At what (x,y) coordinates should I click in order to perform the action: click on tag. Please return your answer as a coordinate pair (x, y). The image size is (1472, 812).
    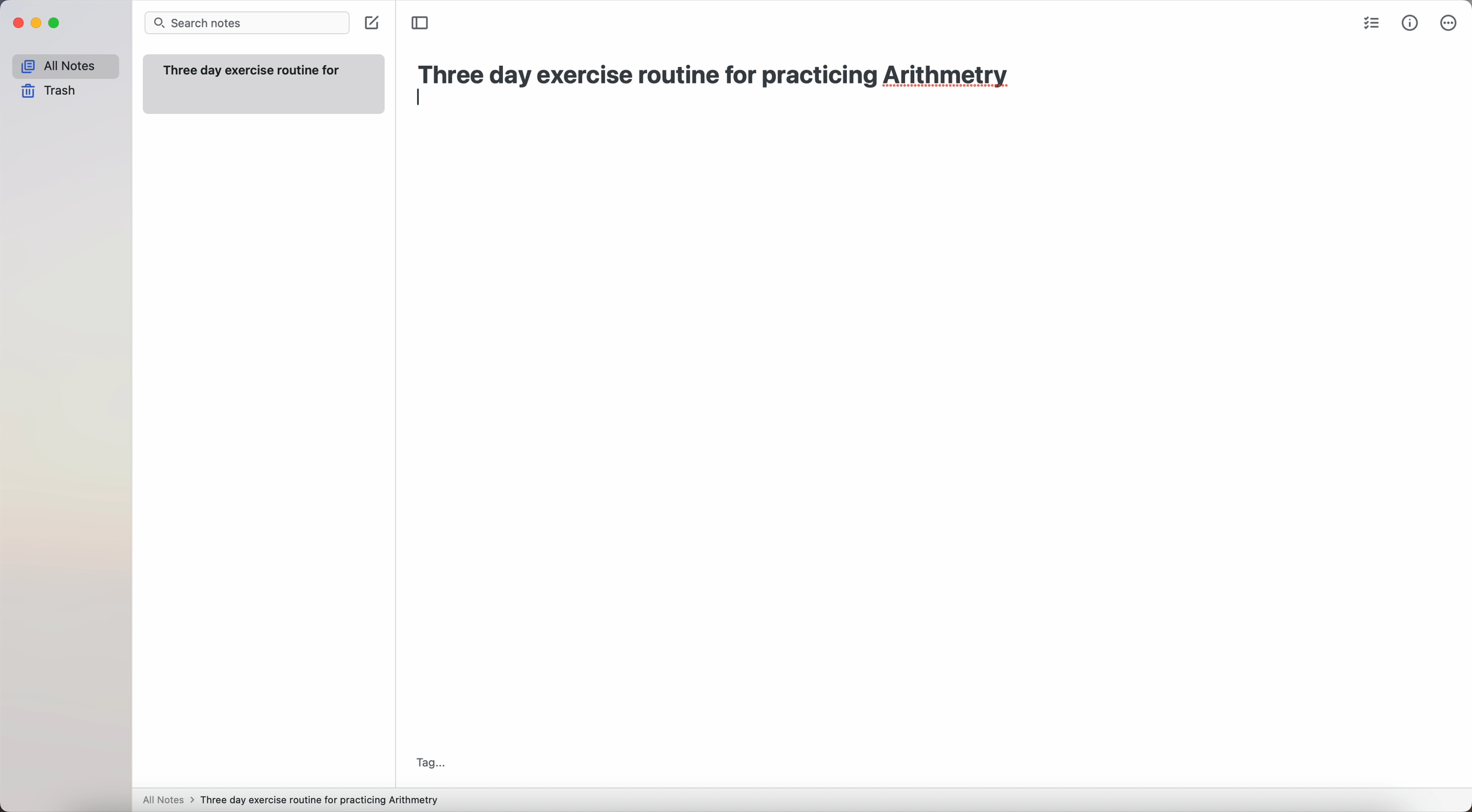
    Looking at the image, I should click on (434, 763).